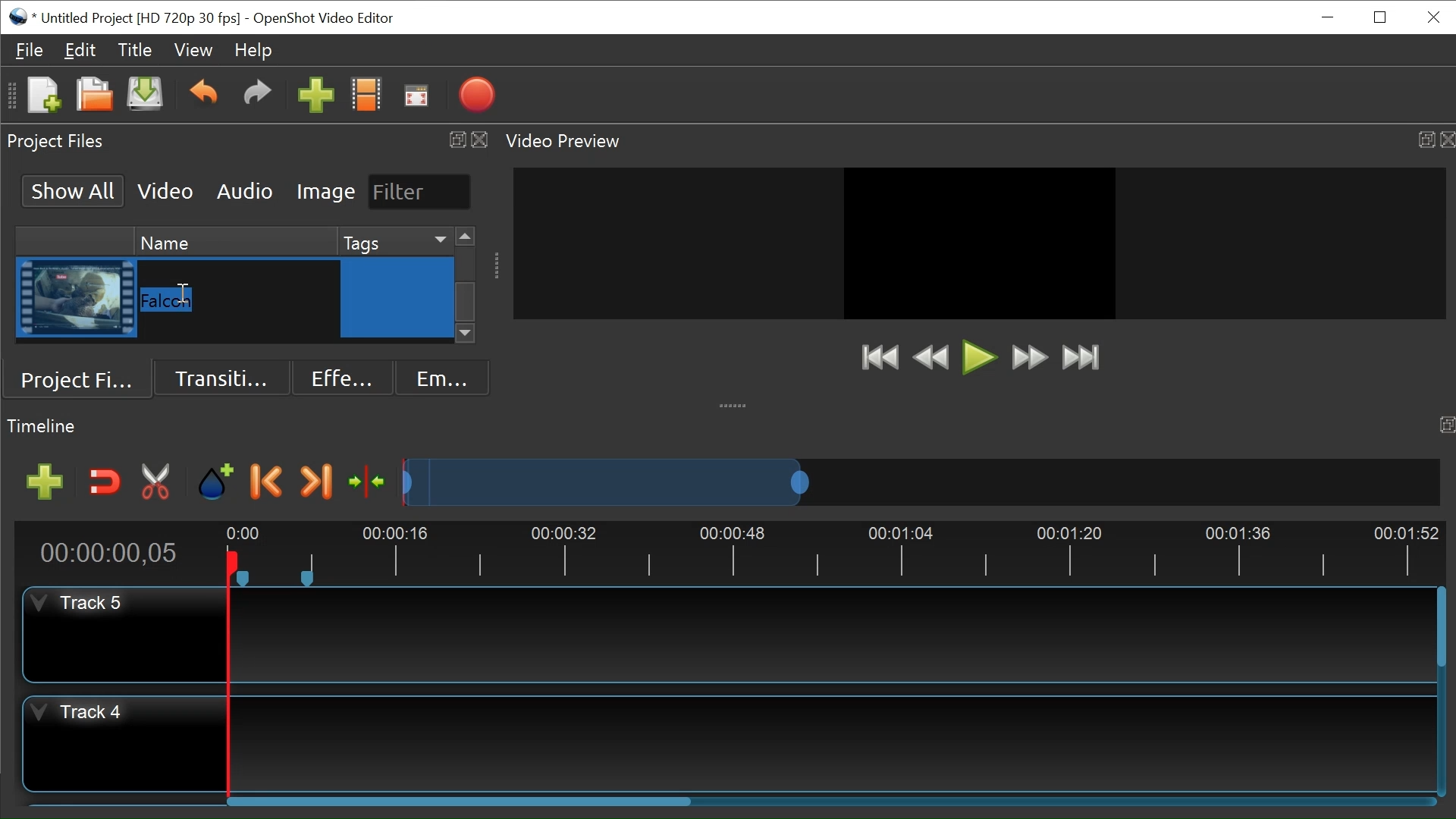 The height and width of the screenshot is (819, 1456). What do you see at coordinates (337, 376) in the screenshot?
I see `Effects` at bounding box center [337, 376].